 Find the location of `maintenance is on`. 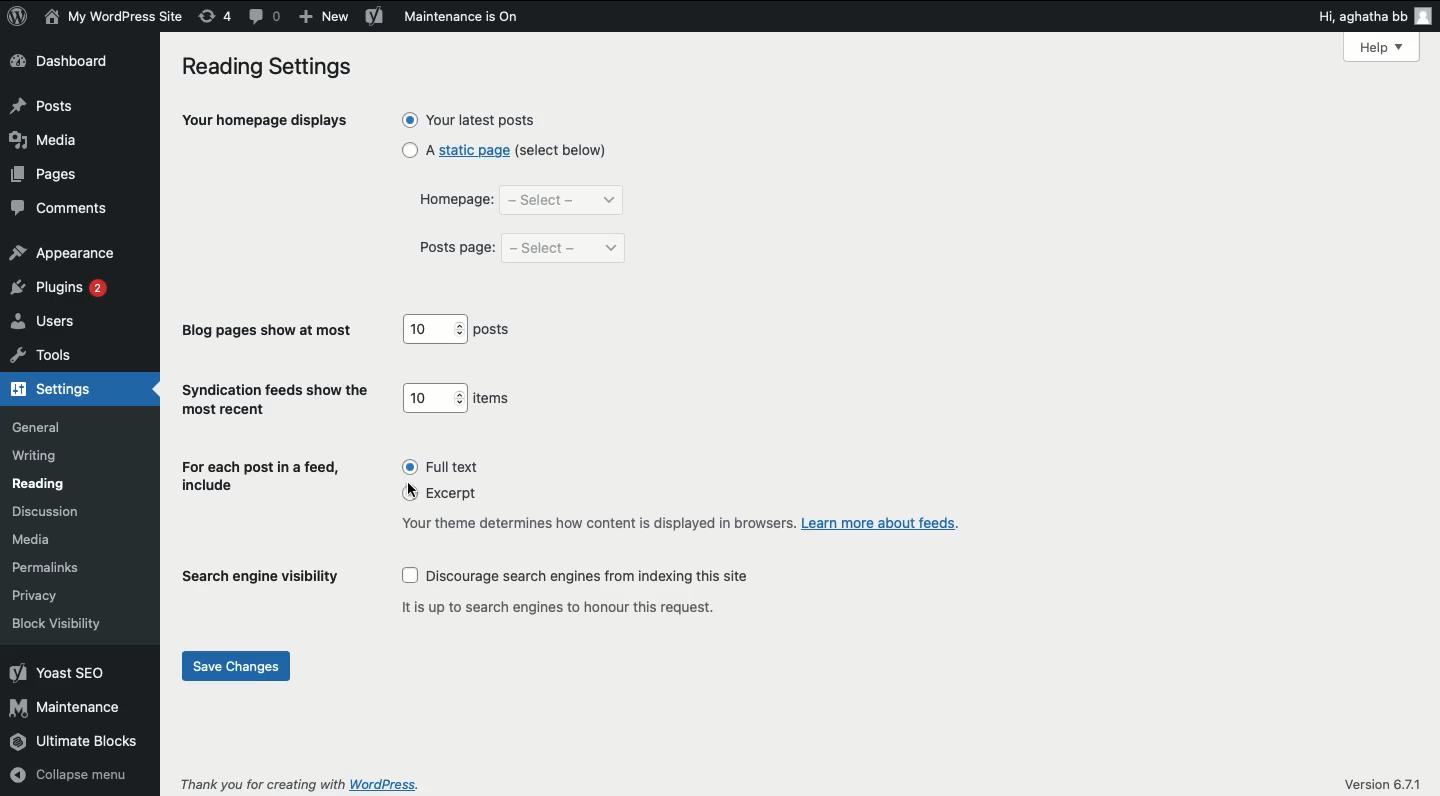

maintenance is on is located at coordinates (476, 17).